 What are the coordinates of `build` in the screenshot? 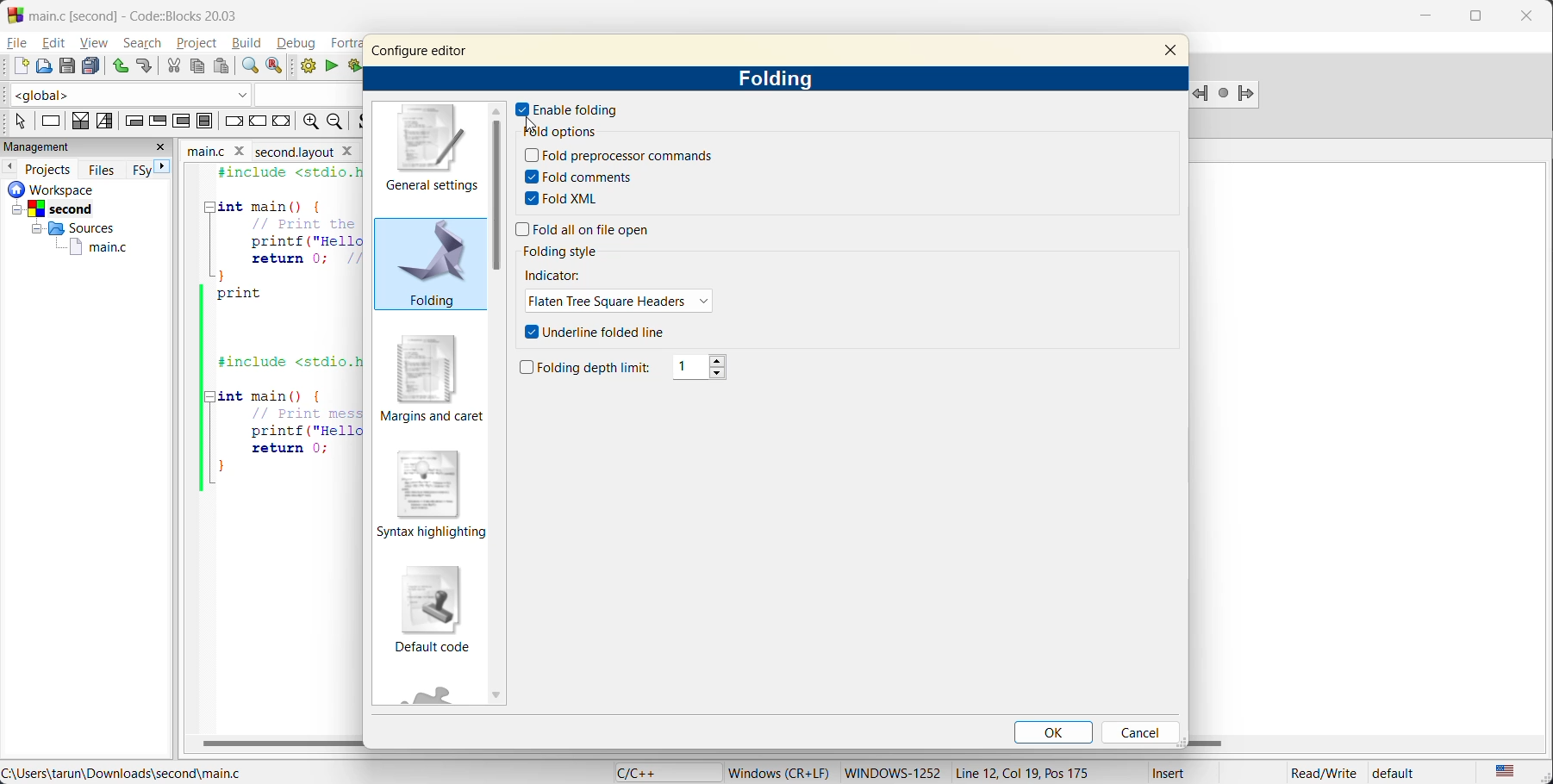 It's located at (247, 42).